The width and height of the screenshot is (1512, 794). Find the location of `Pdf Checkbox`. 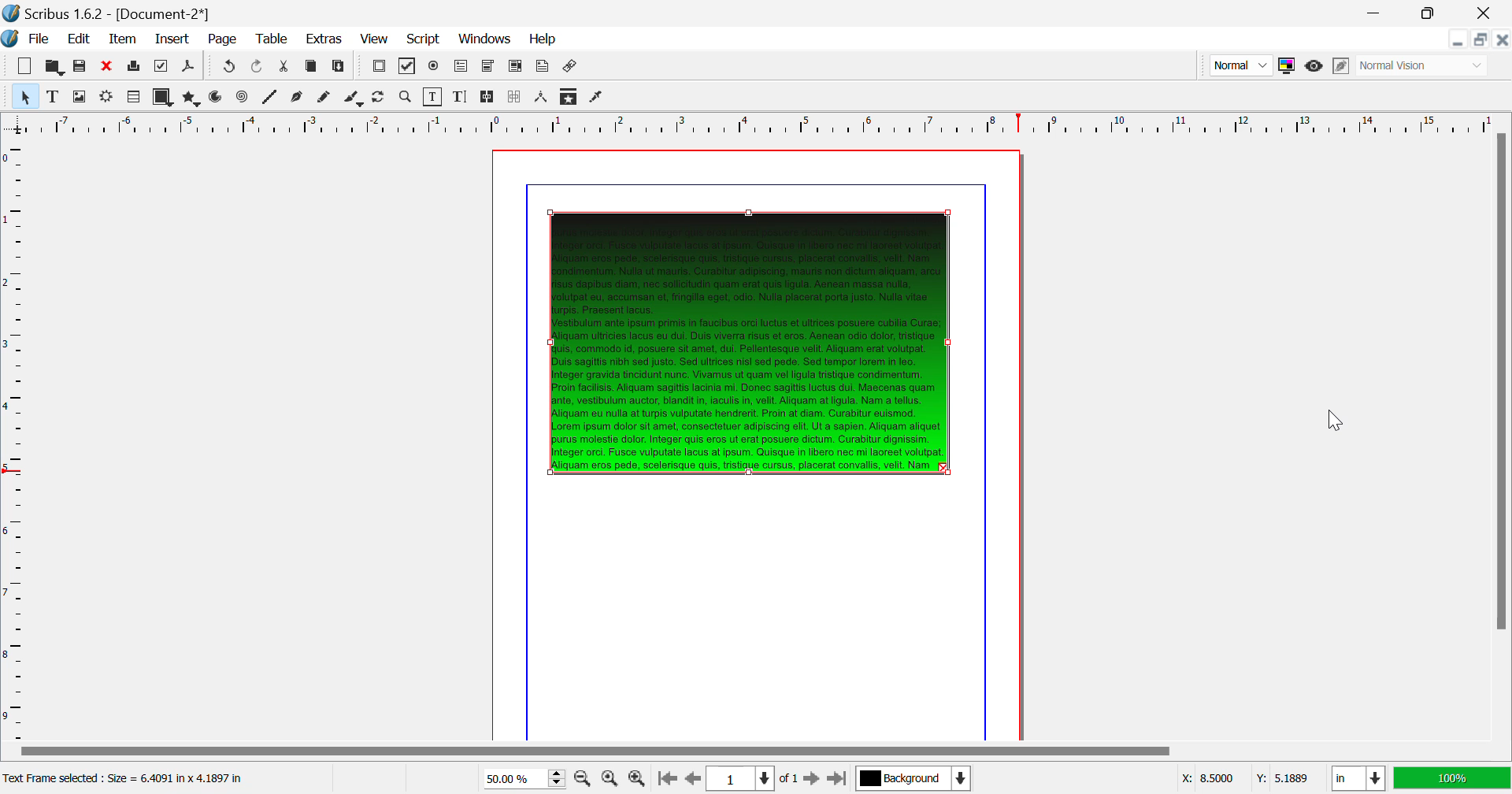

Pdf Checkbox is located at coordinates (408, 69).